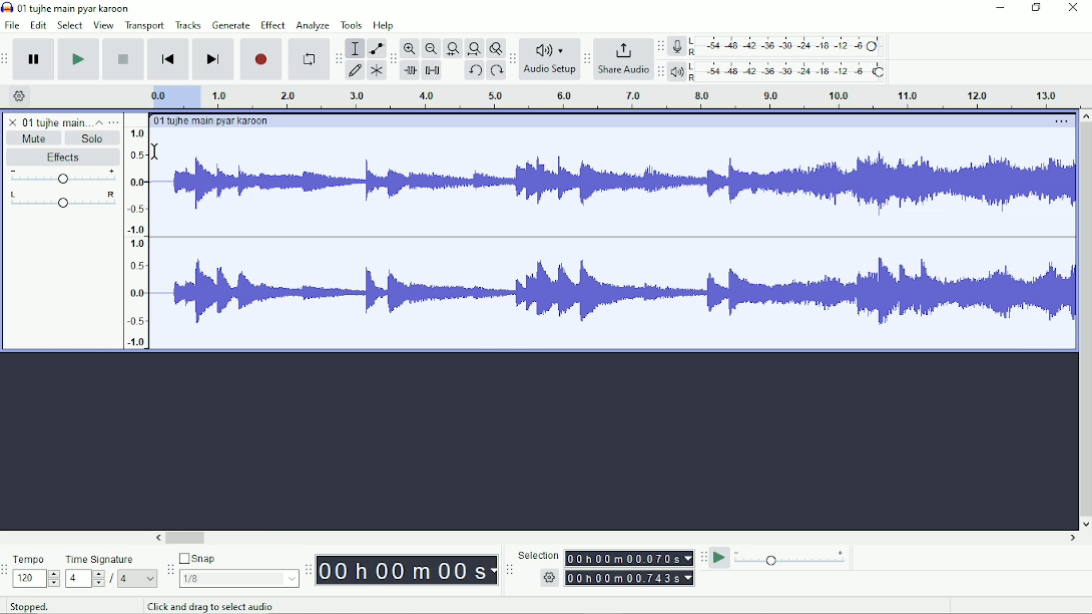 The image size is (1092, 614). What do you see at coordinates (432, 70) in the screenshot?
I see `Silence audio selection` at bounding box center [432, 70].